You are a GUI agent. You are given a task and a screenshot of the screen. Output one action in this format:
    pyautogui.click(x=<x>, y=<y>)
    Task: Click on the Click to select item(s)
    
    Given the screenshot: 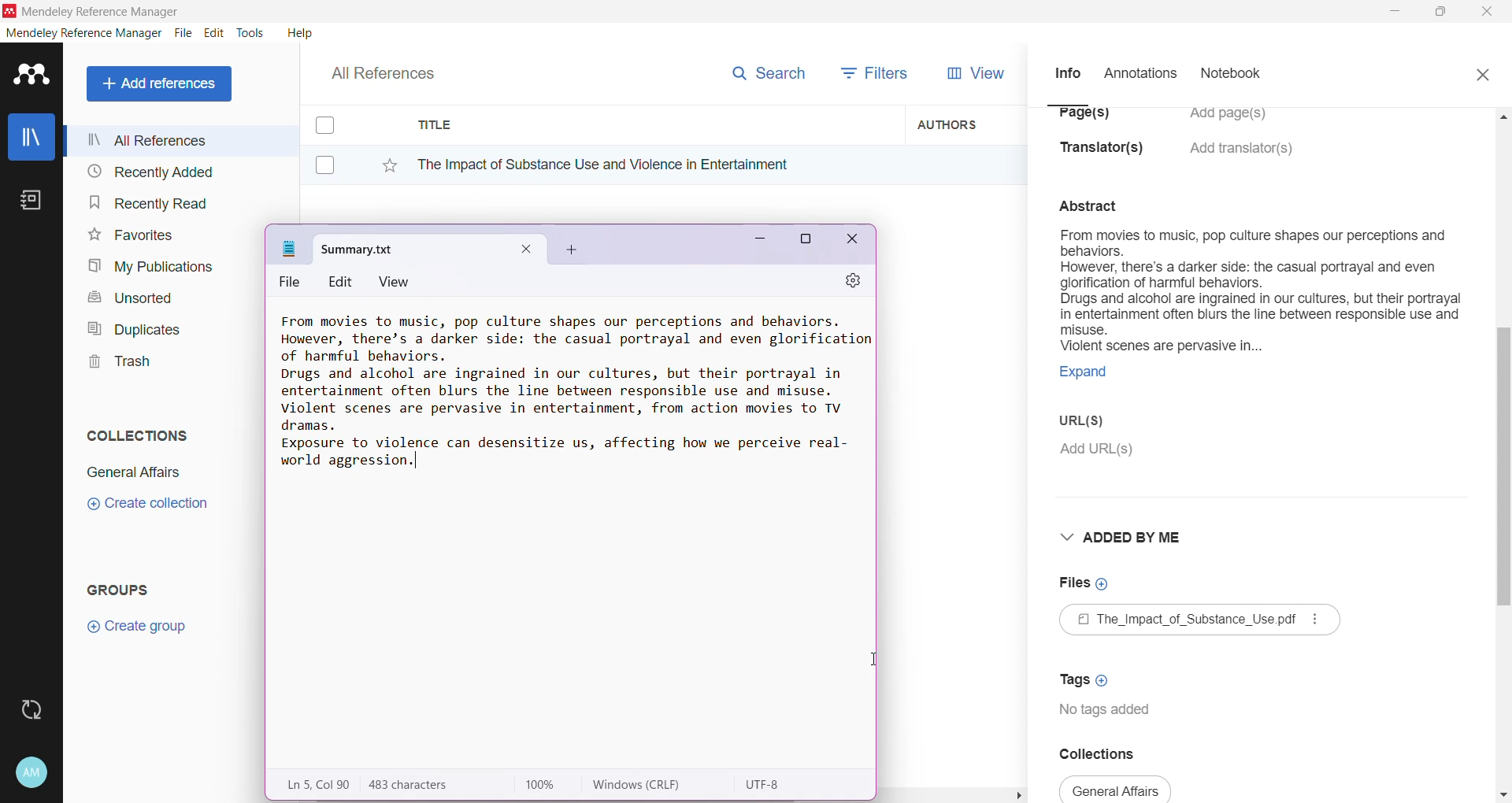 What is the action you would take?
    pyautogui.click(x=333, y=144)
    